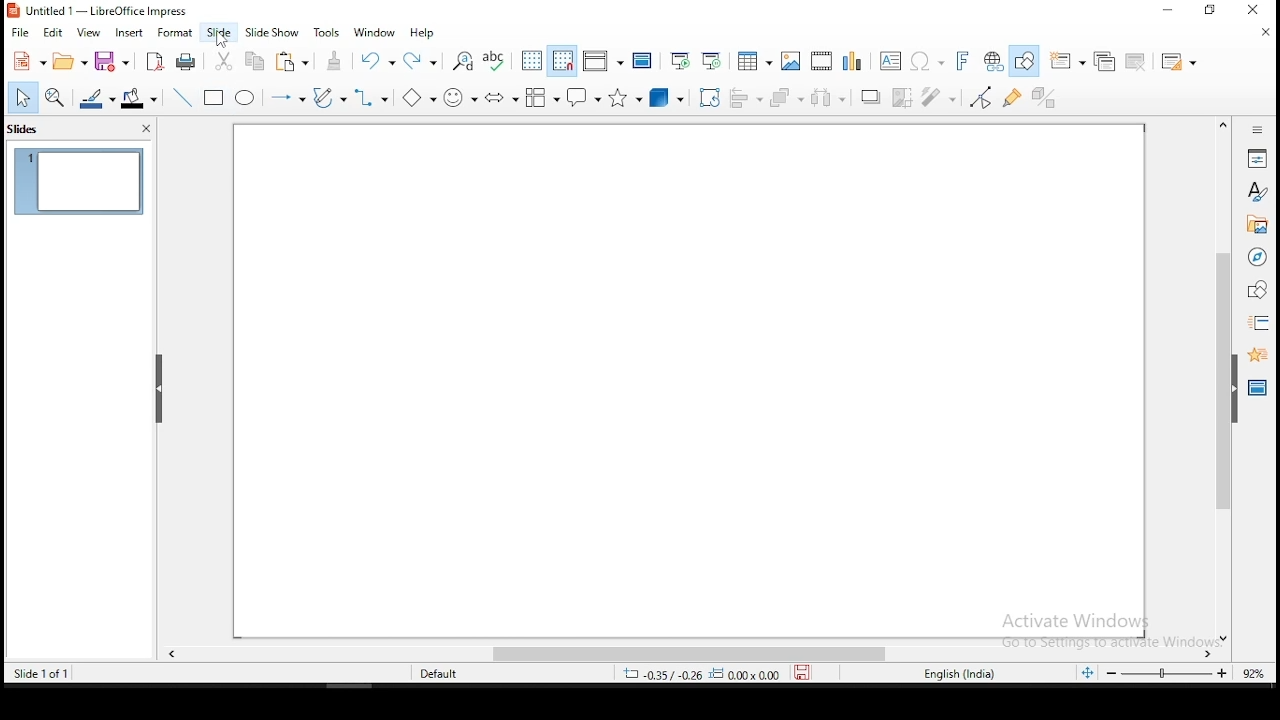 This screenshot has height=720, width=1280. I want to click on view, so click(91, 31).